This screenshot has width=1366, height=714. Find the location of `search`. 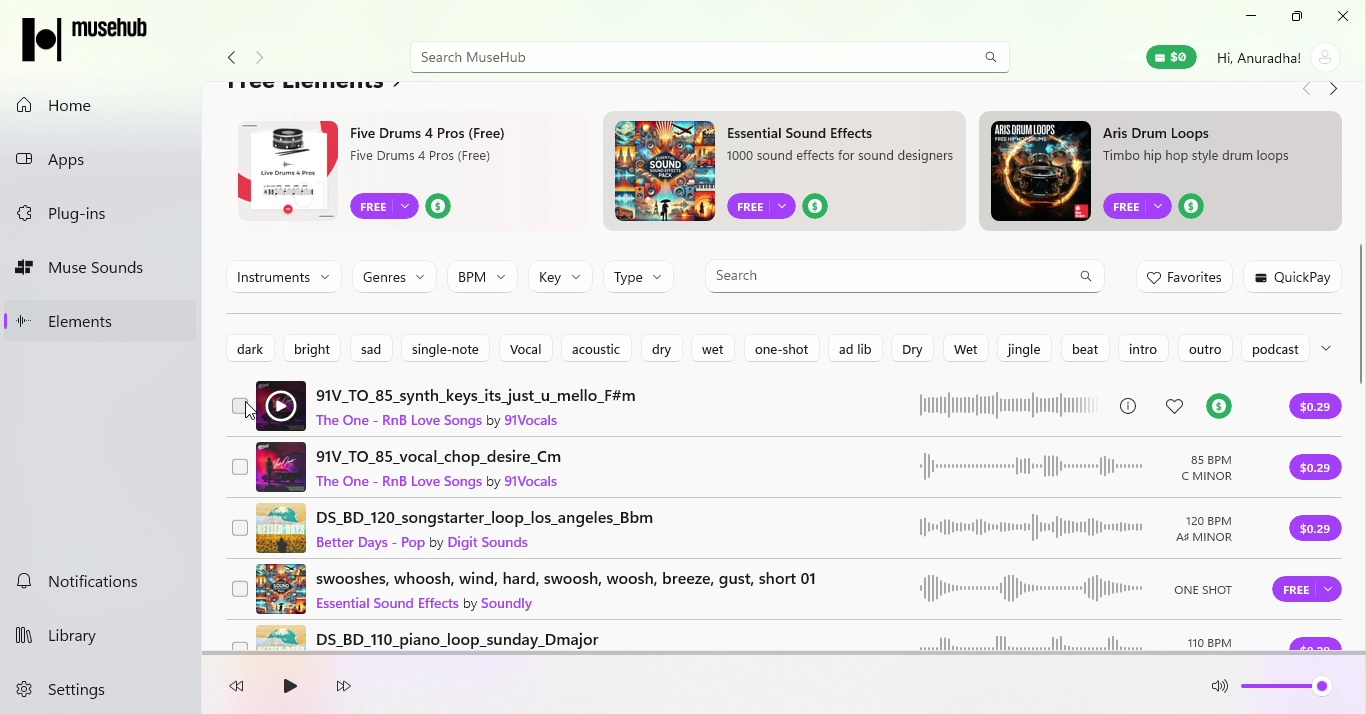

search is located at coordinates (991, 56).